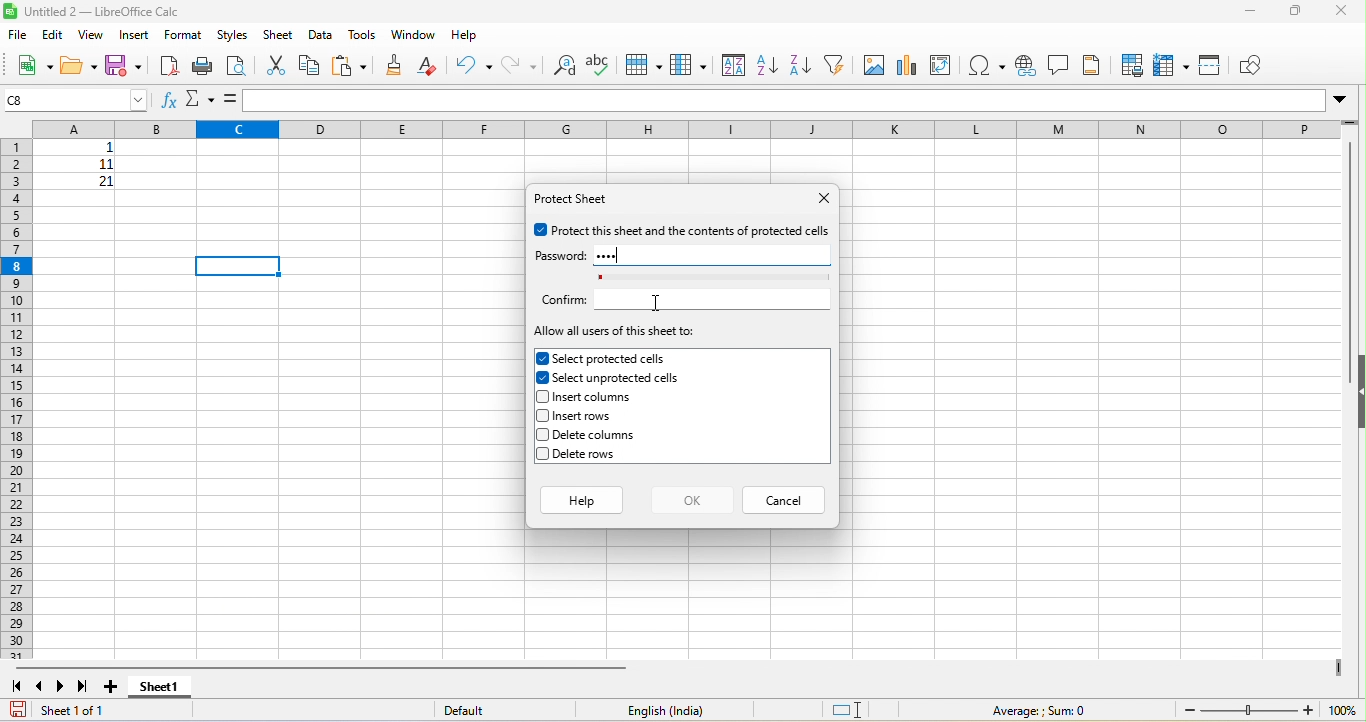  Describe the element at coordinates (1036, 710) in the screenshot. I see `formula` at that location.